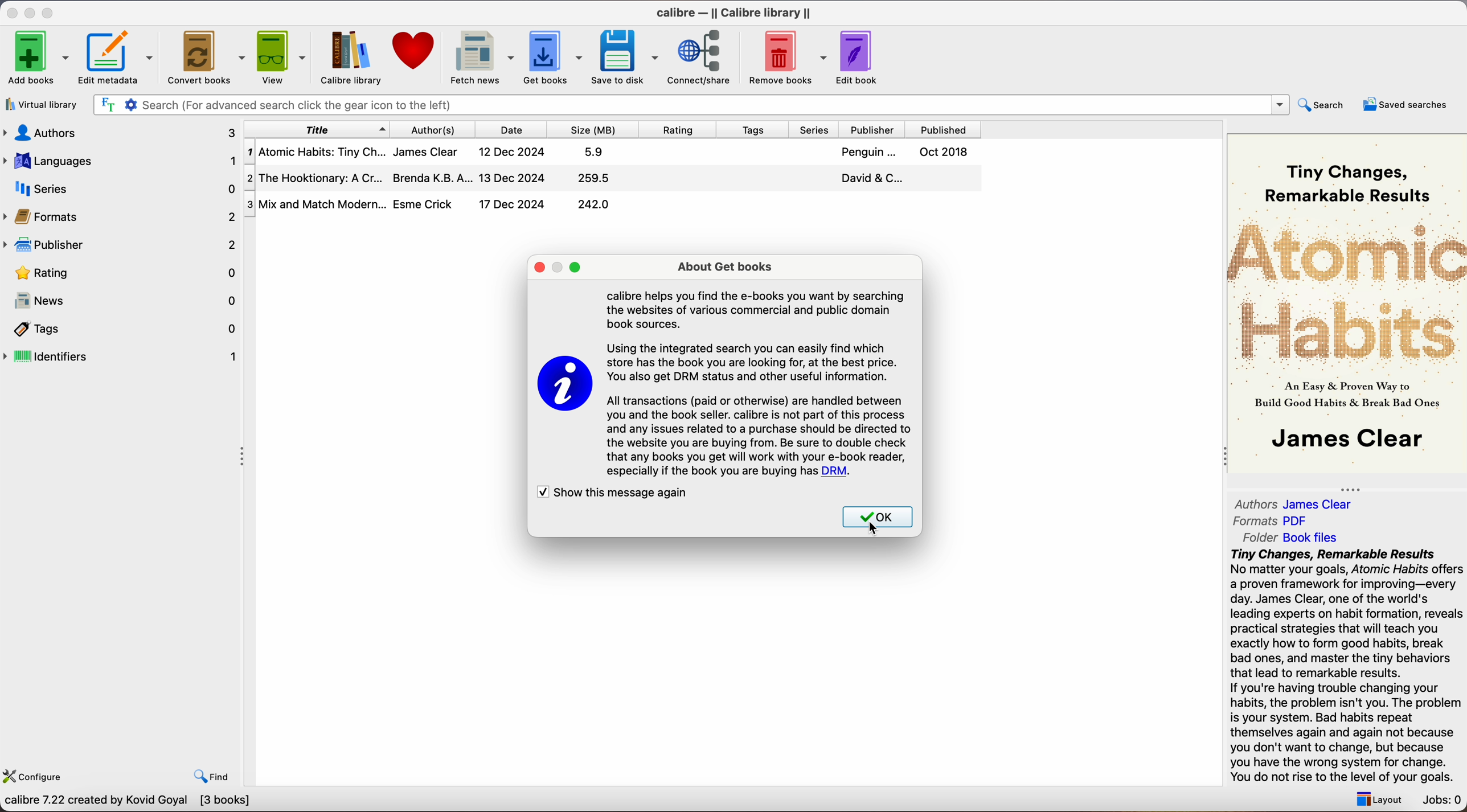 This screenshot has height=812, width=1467. I want to click on remove books, so click(788, 59).